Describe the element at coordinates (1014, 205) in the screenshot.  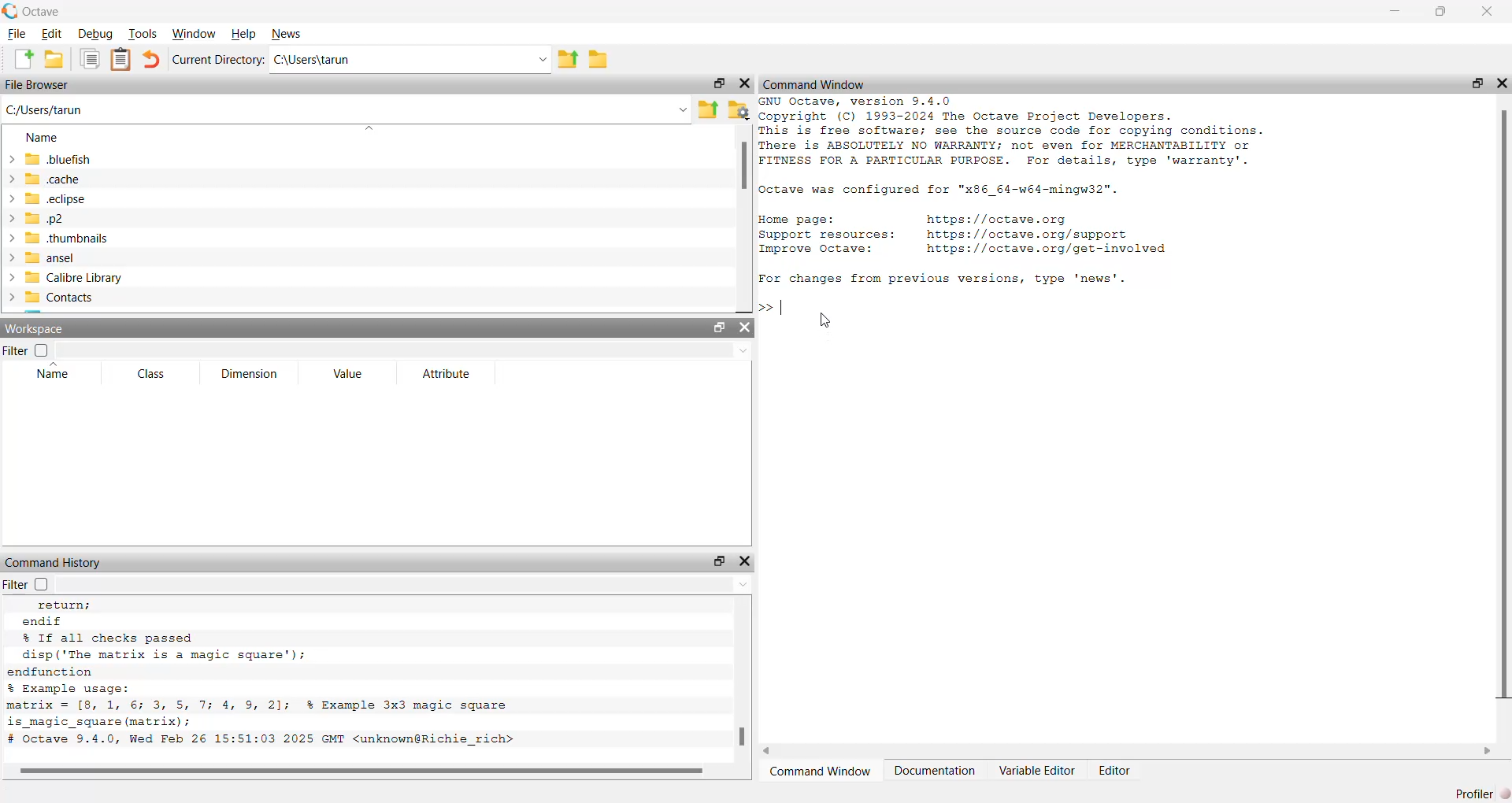
I see `GNU Octave, version 5.4.0Copyright (C) 1993-2024 The Octave Project Developers.This is free software; see the source code for copying conditions.There is ABSOLUTELY NO WARRANTY; not even for MERCHANTABILITY orFITNESS FOR A PARTICULAR PURPOSE. For details, type 'warranty'.Octave was configured for "x86_64-w64-mingw32".Home page: https: //octave.orgSupport resources:  https://octave.org/supportImprove Octave: https: //octave.org/get-involvedFor changes from previous versions, type 'news'.>» ` at that location.